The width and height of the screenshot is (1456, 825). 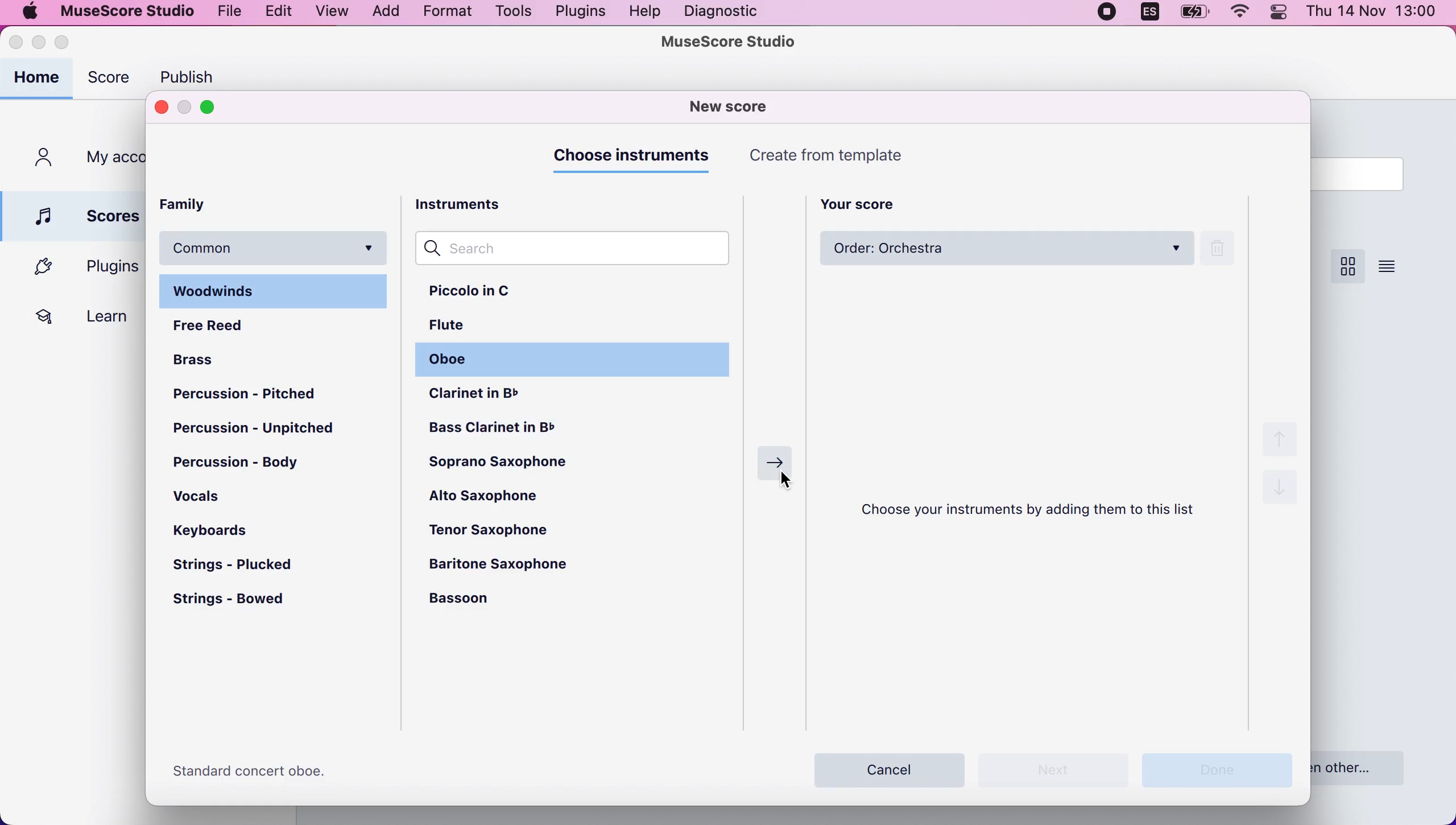 What do you see at coordinates (331, 12) in the screenshot?
I see `view` at bounding box center [331, 12].